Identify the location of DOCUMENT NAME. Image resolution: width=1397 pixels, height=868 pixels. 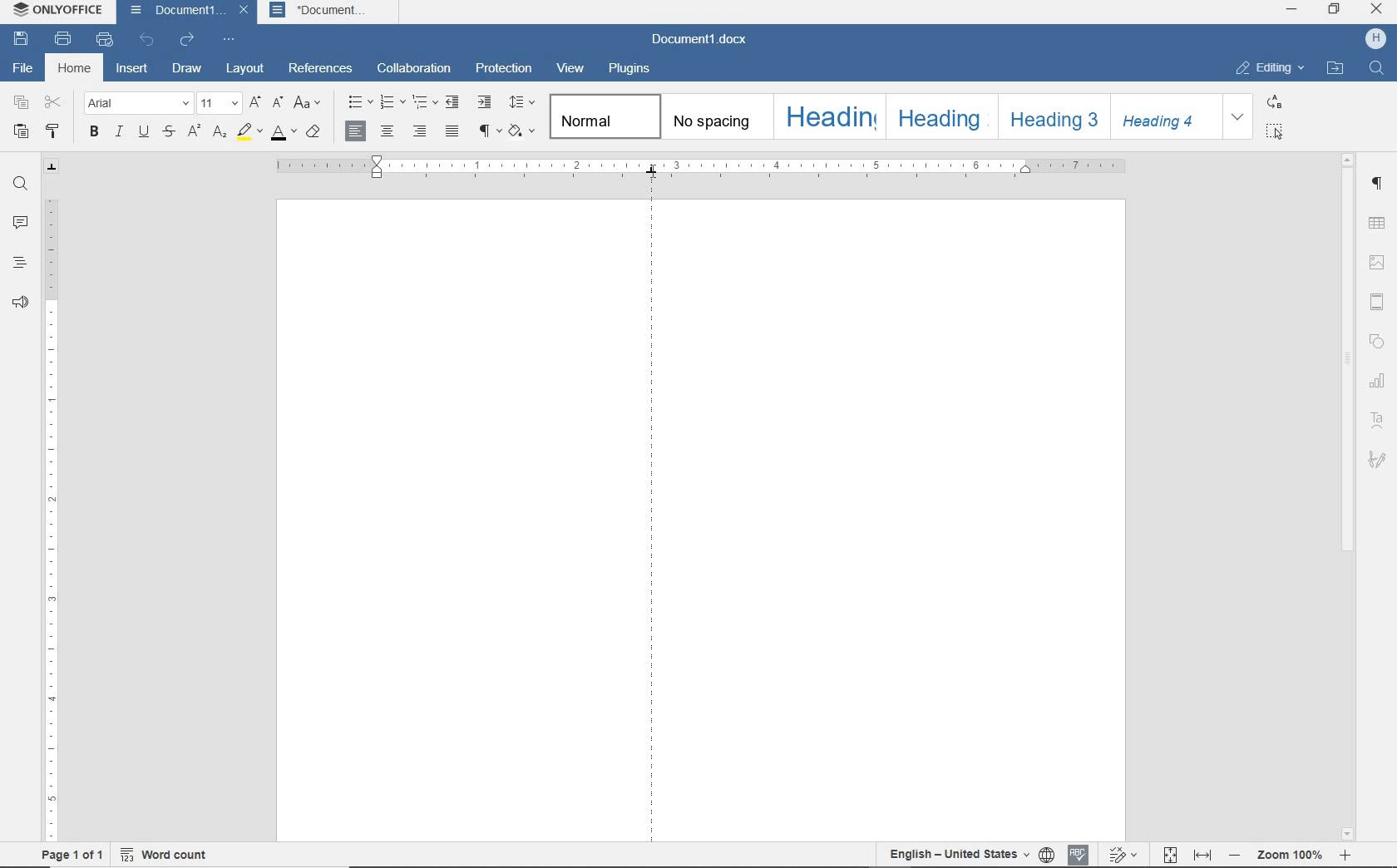
(705, 40).